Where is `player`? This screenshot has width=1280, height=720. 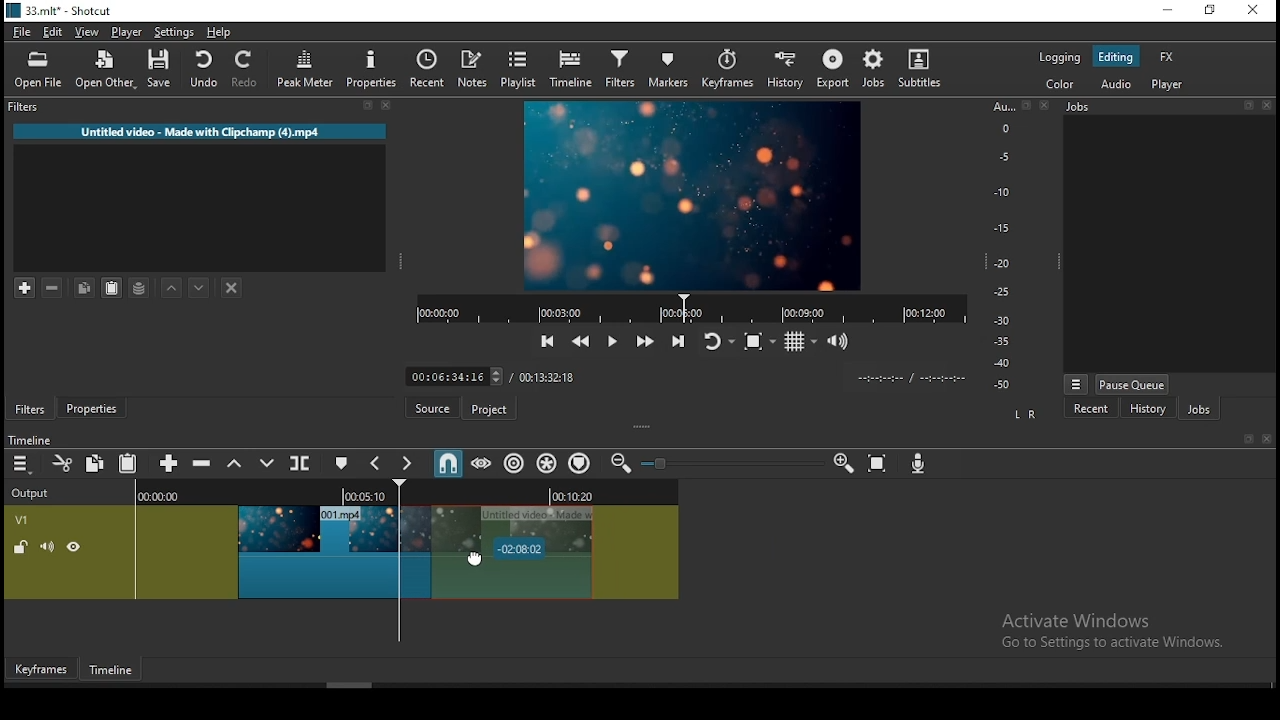
player is located at coordinates (1168, 86).